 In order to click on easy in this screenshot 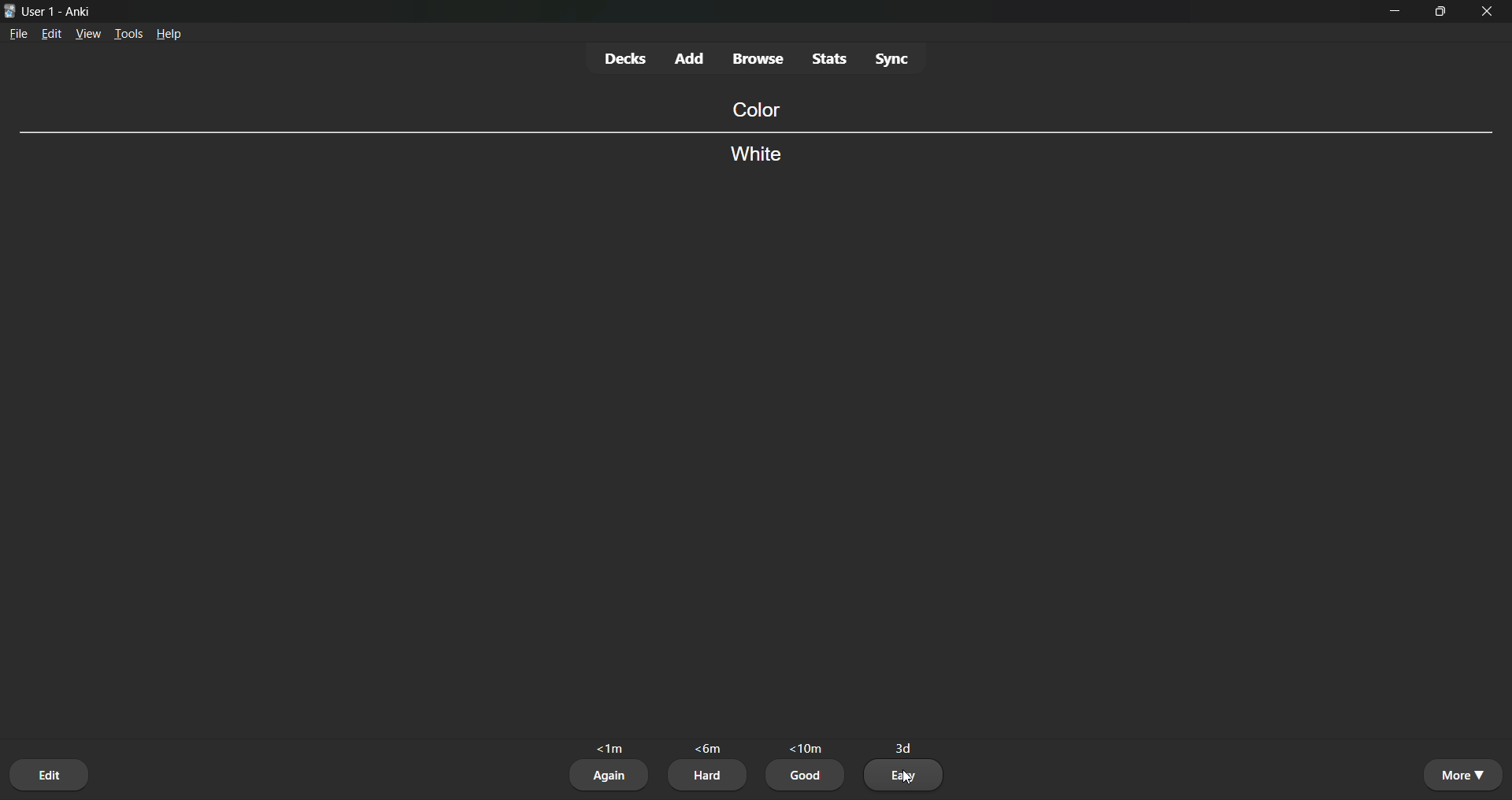, I will do `click(906, 776)`.